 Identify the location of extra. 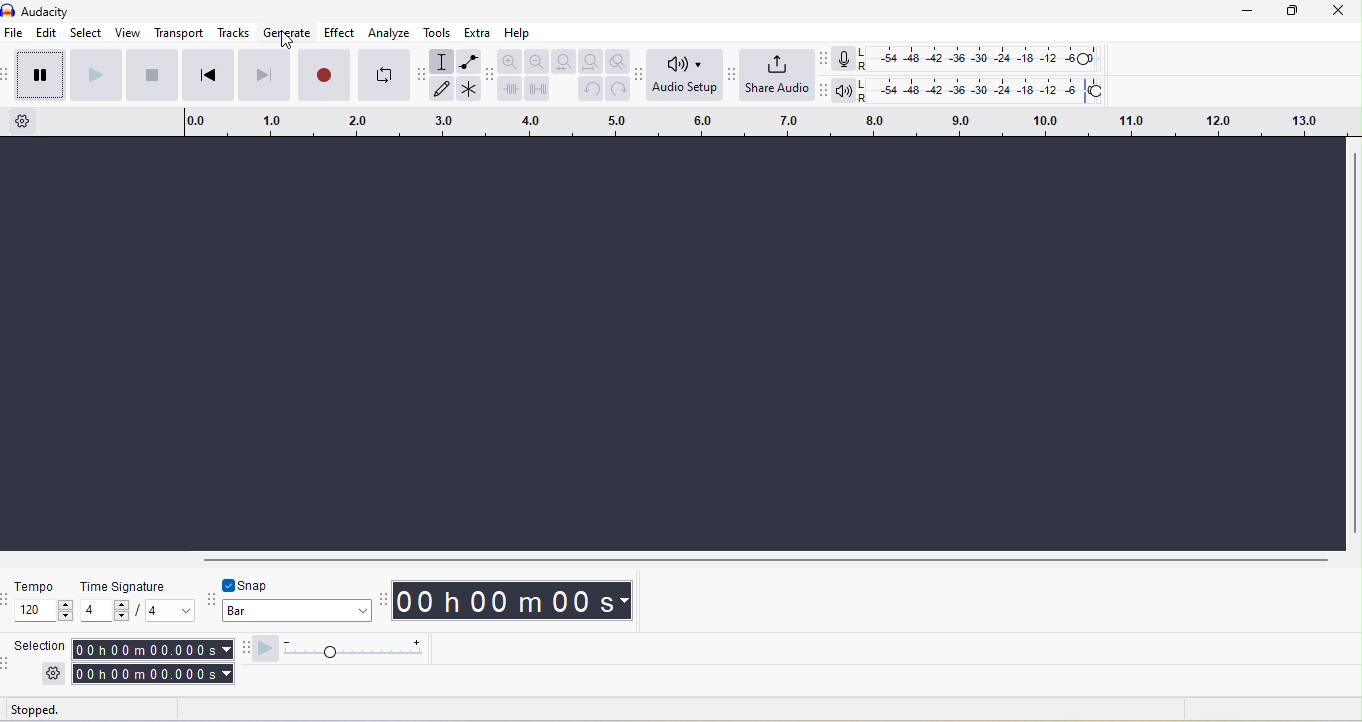
(476, 32).